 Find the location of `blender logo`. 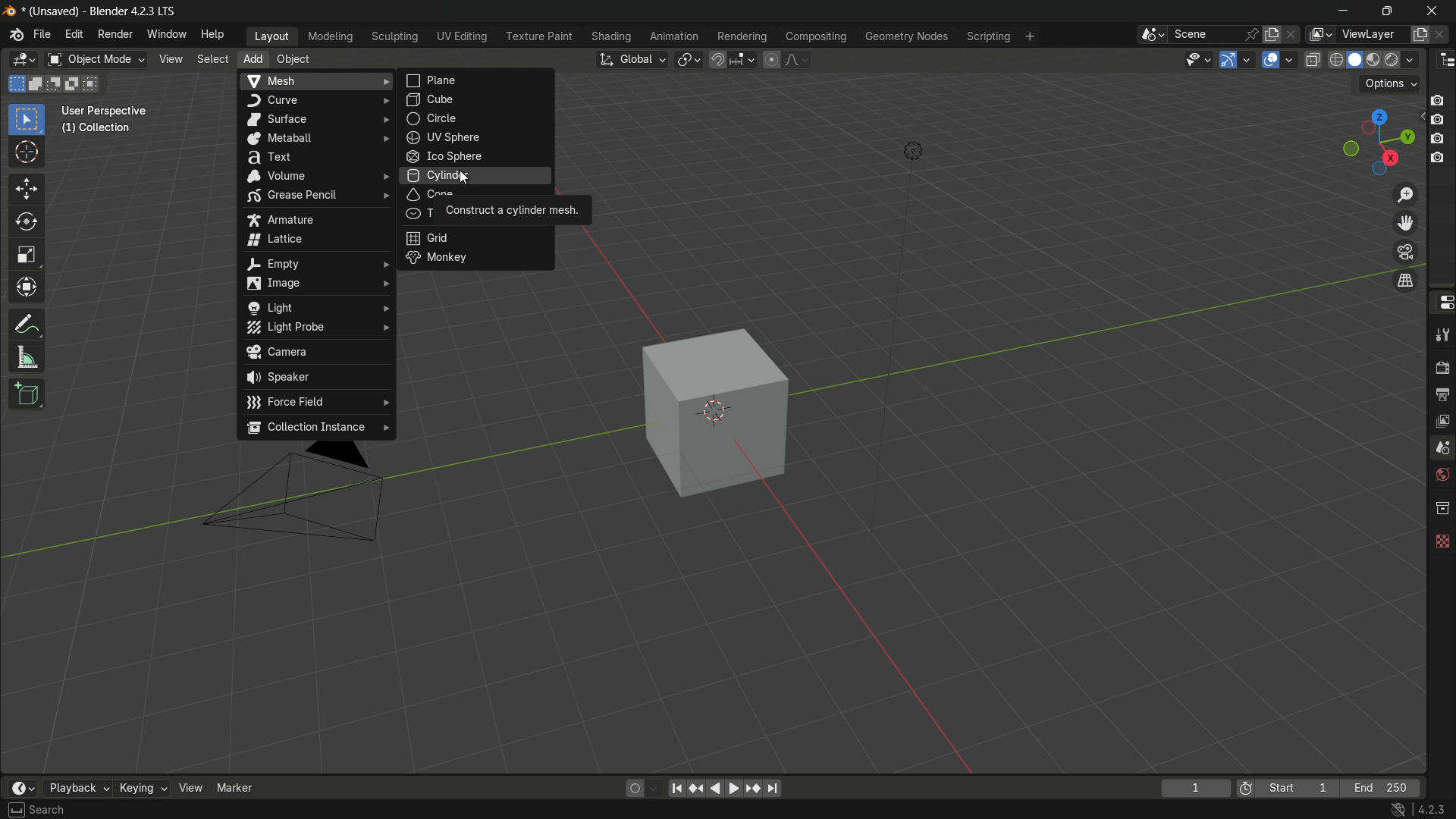

blender logo is located at coordinates (11, 11).